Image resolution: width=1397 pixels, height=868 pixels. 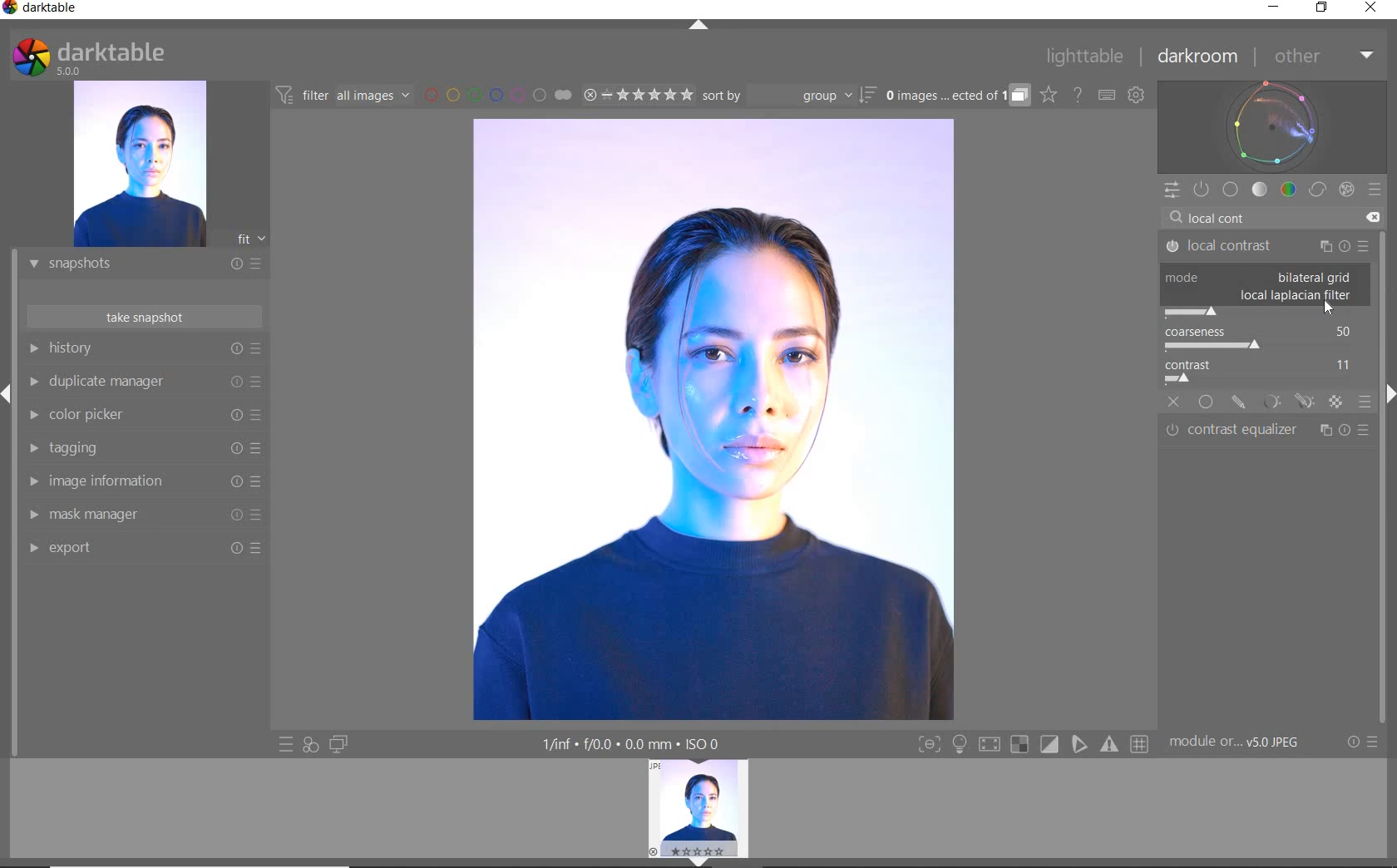 What do you see at coordinates (1365, 742) in the screenshot?
I see `RESET OR PRESETS & PREFERENCES` at bounding box center [1365, 742].